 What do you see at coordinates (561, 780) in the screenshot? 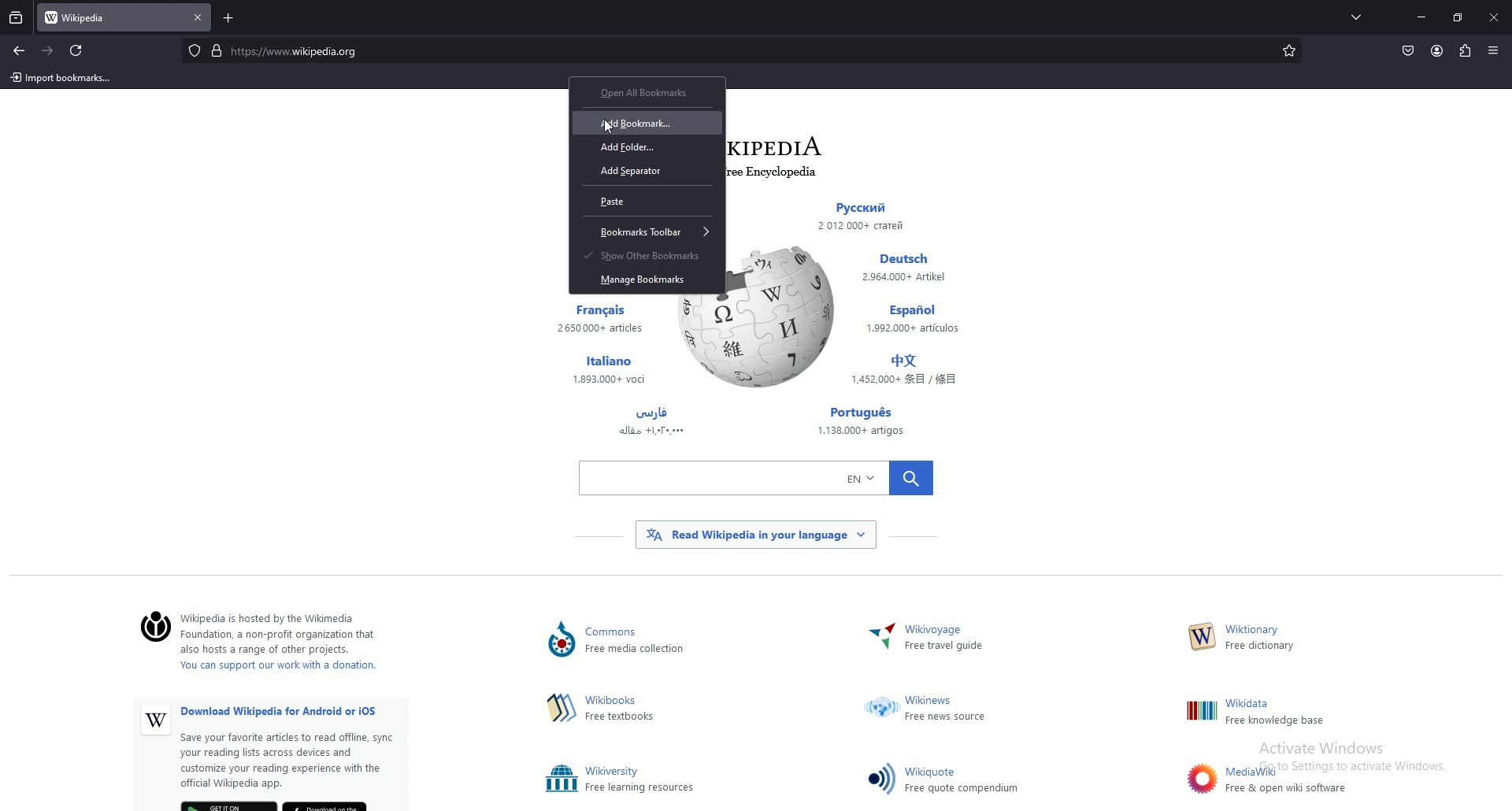
I see `` at bounding box center [561, 780].